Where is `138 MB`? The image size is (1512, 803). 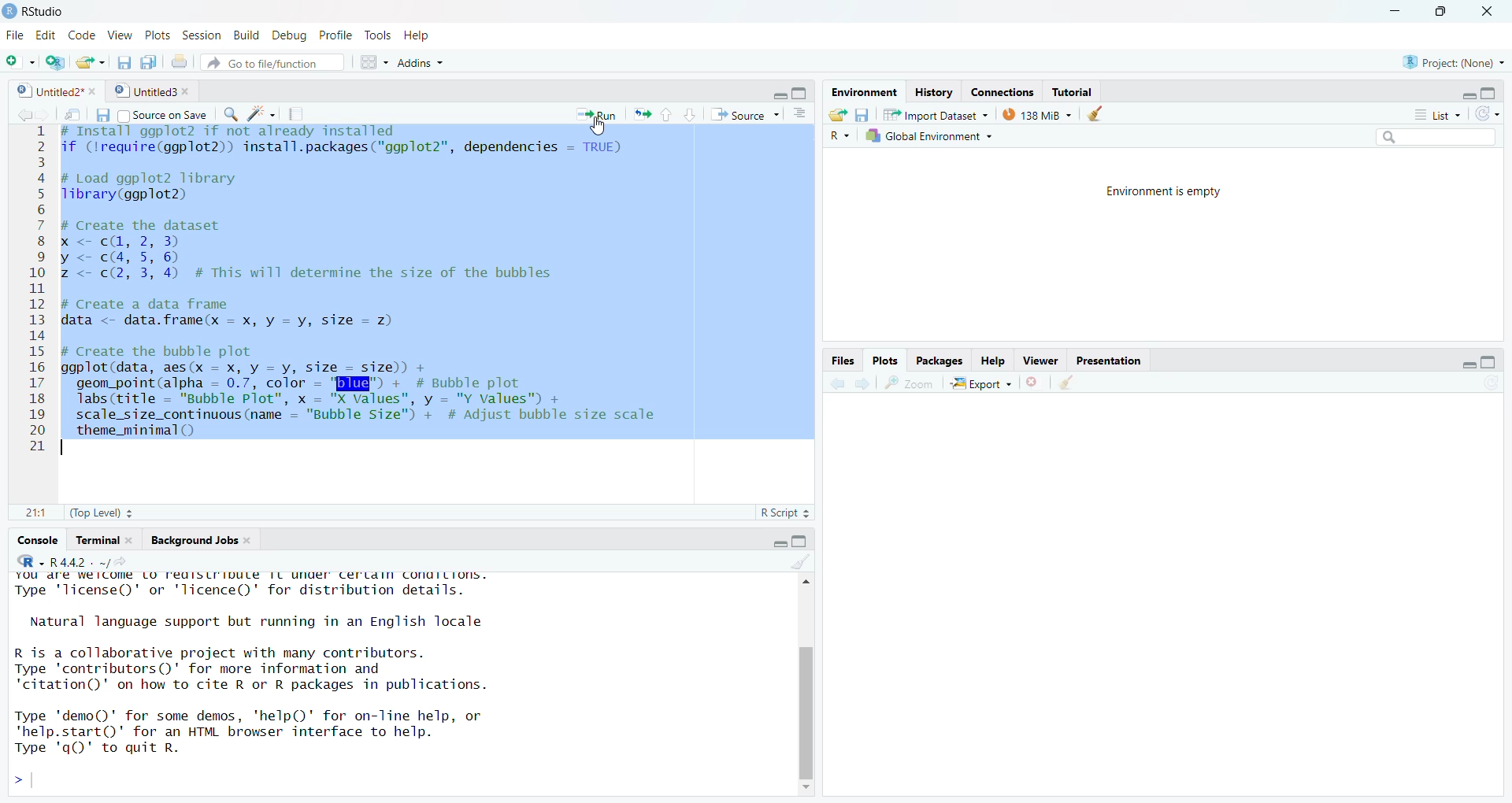 138 MB is located at coordinates (1037, 113).